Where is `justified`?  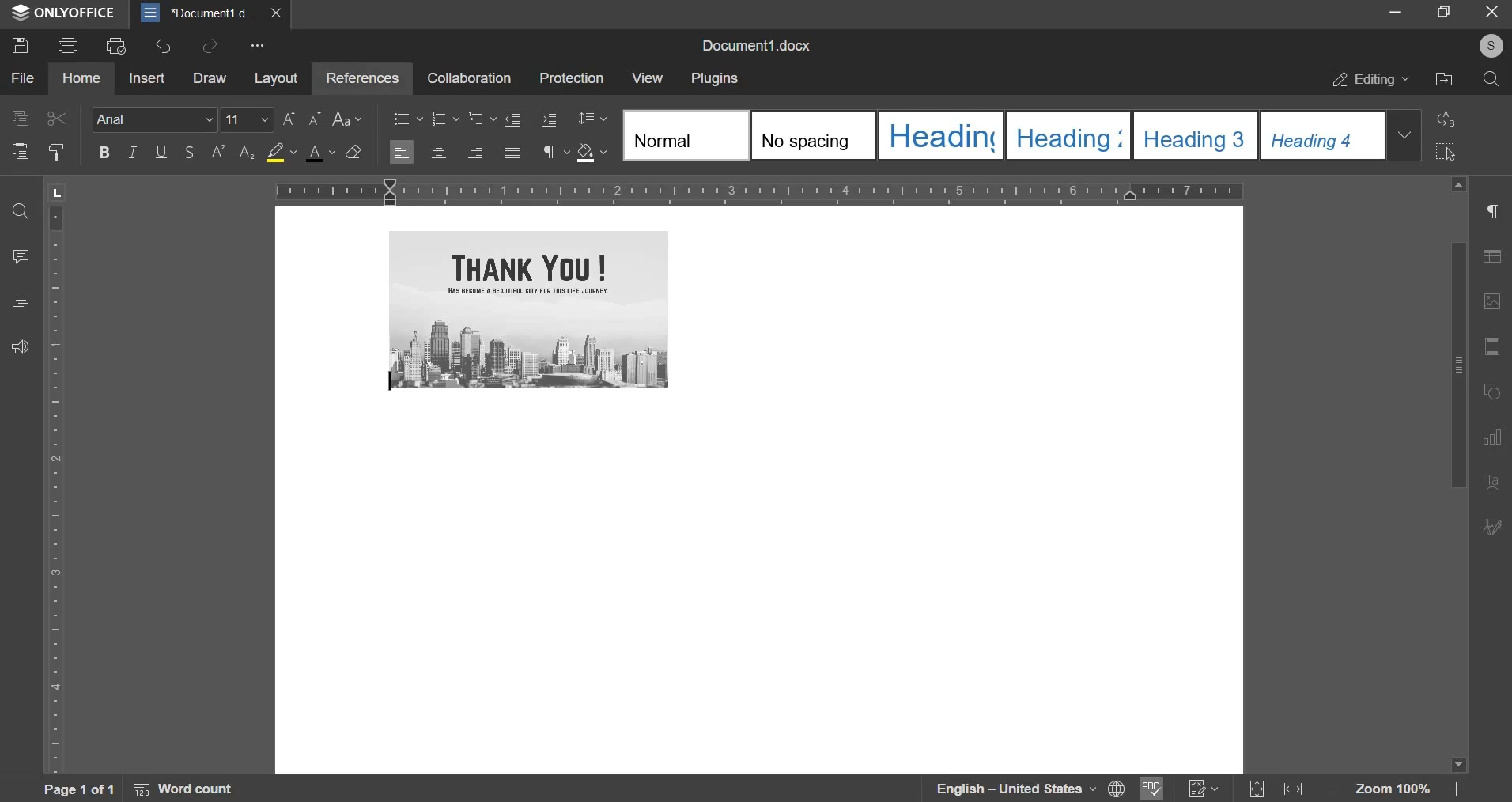
justified is located at coordinates (512, 152).